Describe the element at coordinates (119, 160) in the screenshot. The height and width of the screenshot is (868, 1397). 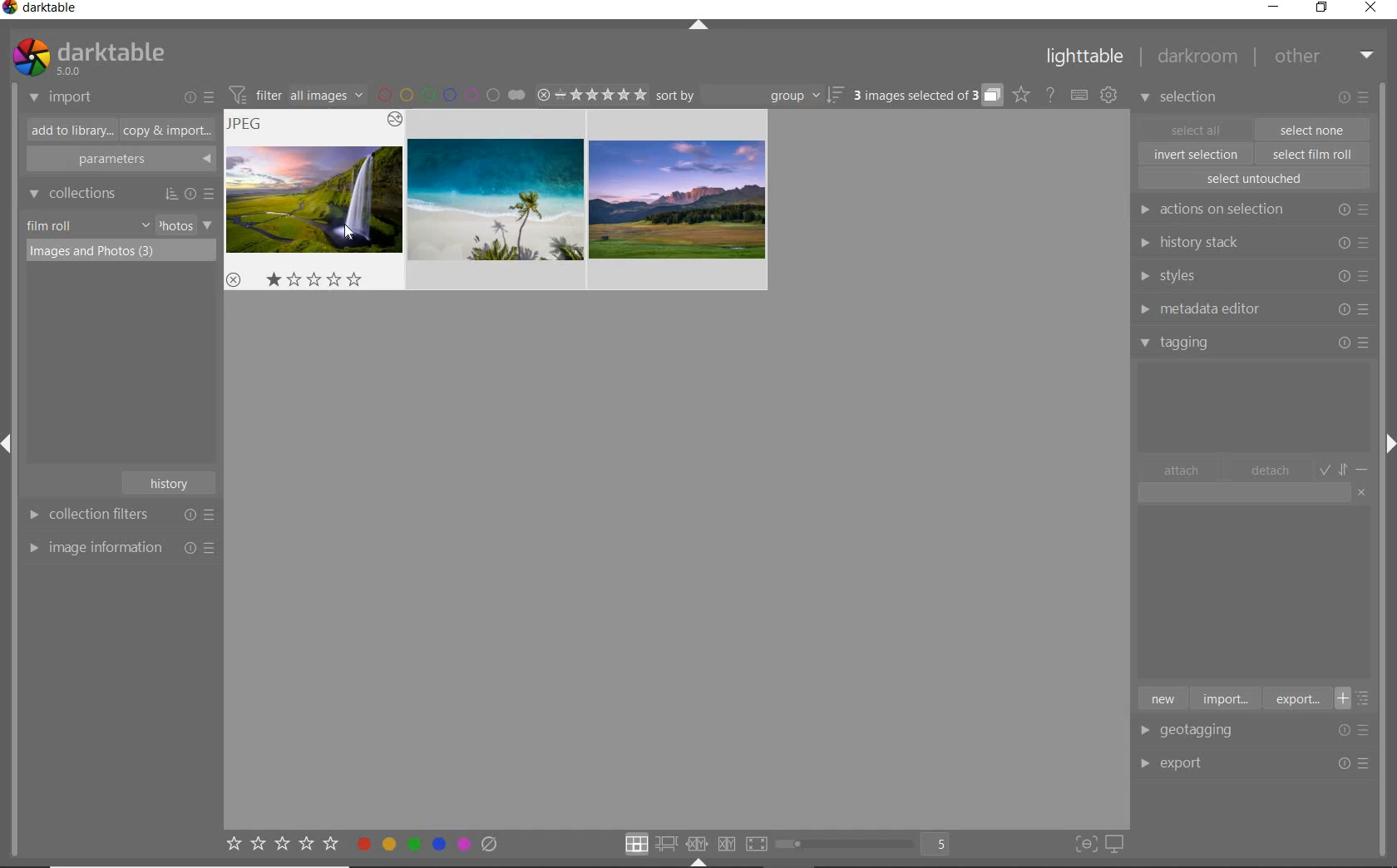
I see `parameters` at that location.